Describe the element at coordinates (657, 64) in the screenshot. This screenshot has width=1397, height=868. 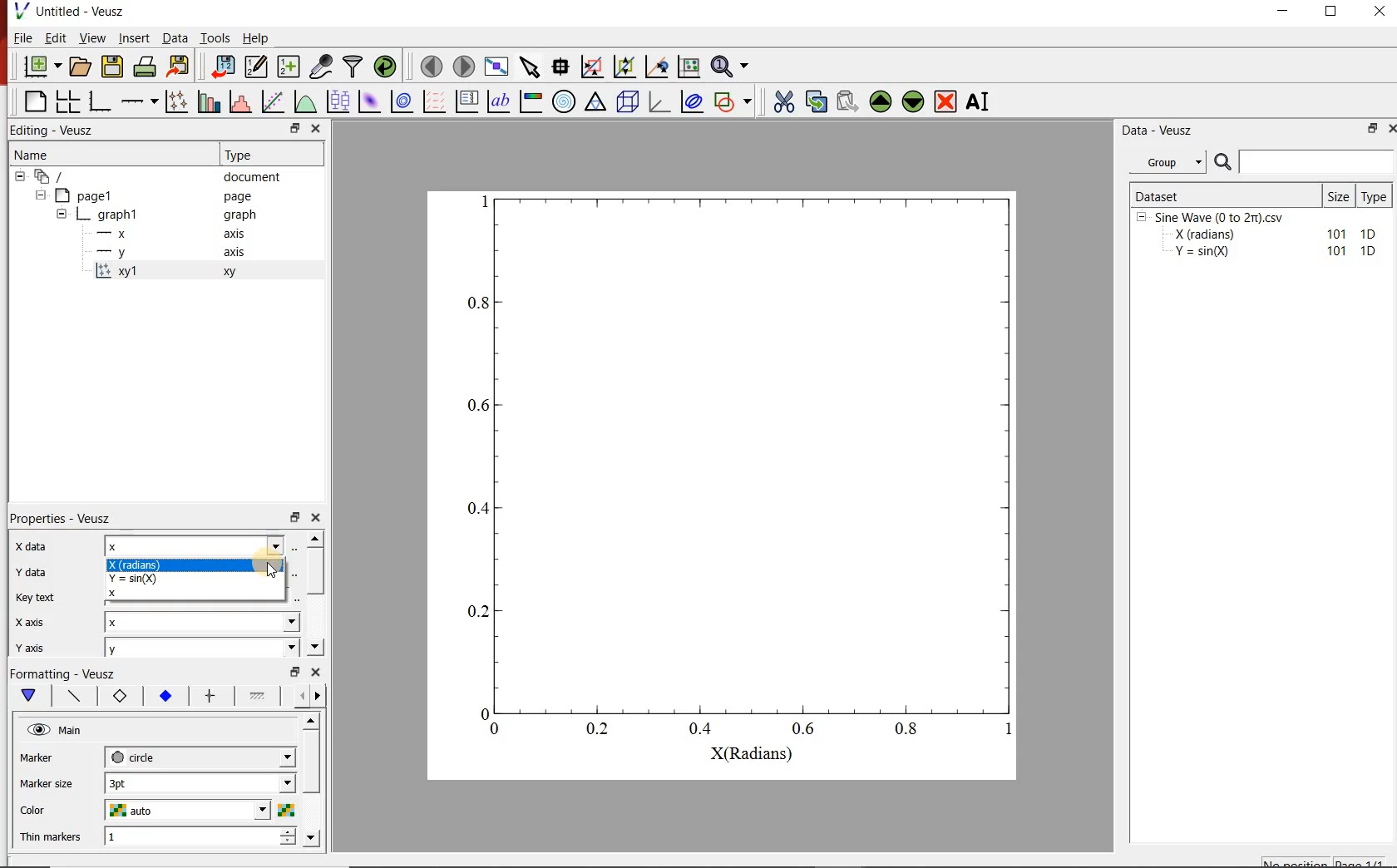
I see `click to recentre graph` at that location.